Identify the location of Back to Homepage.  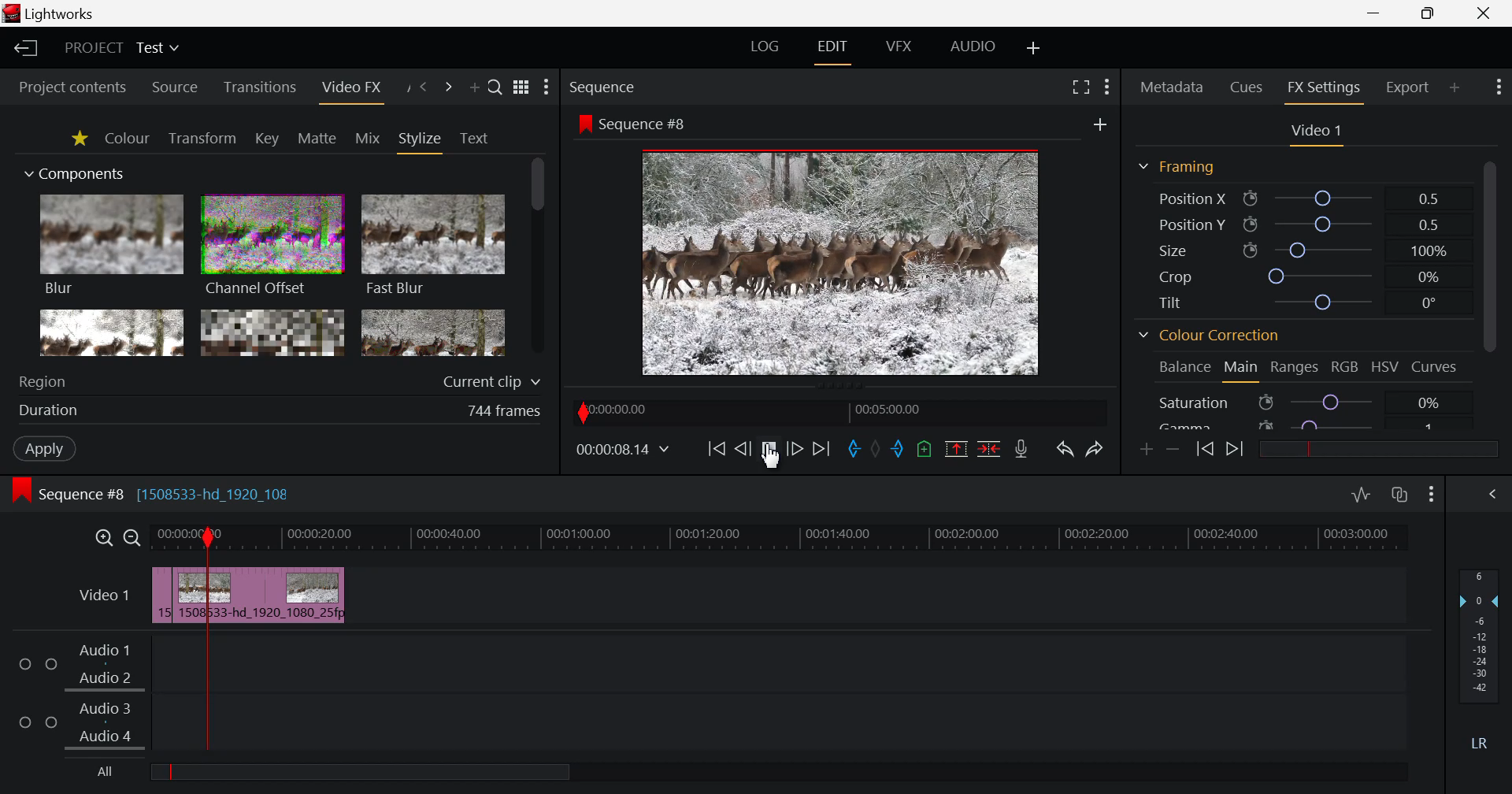
(25, 49).